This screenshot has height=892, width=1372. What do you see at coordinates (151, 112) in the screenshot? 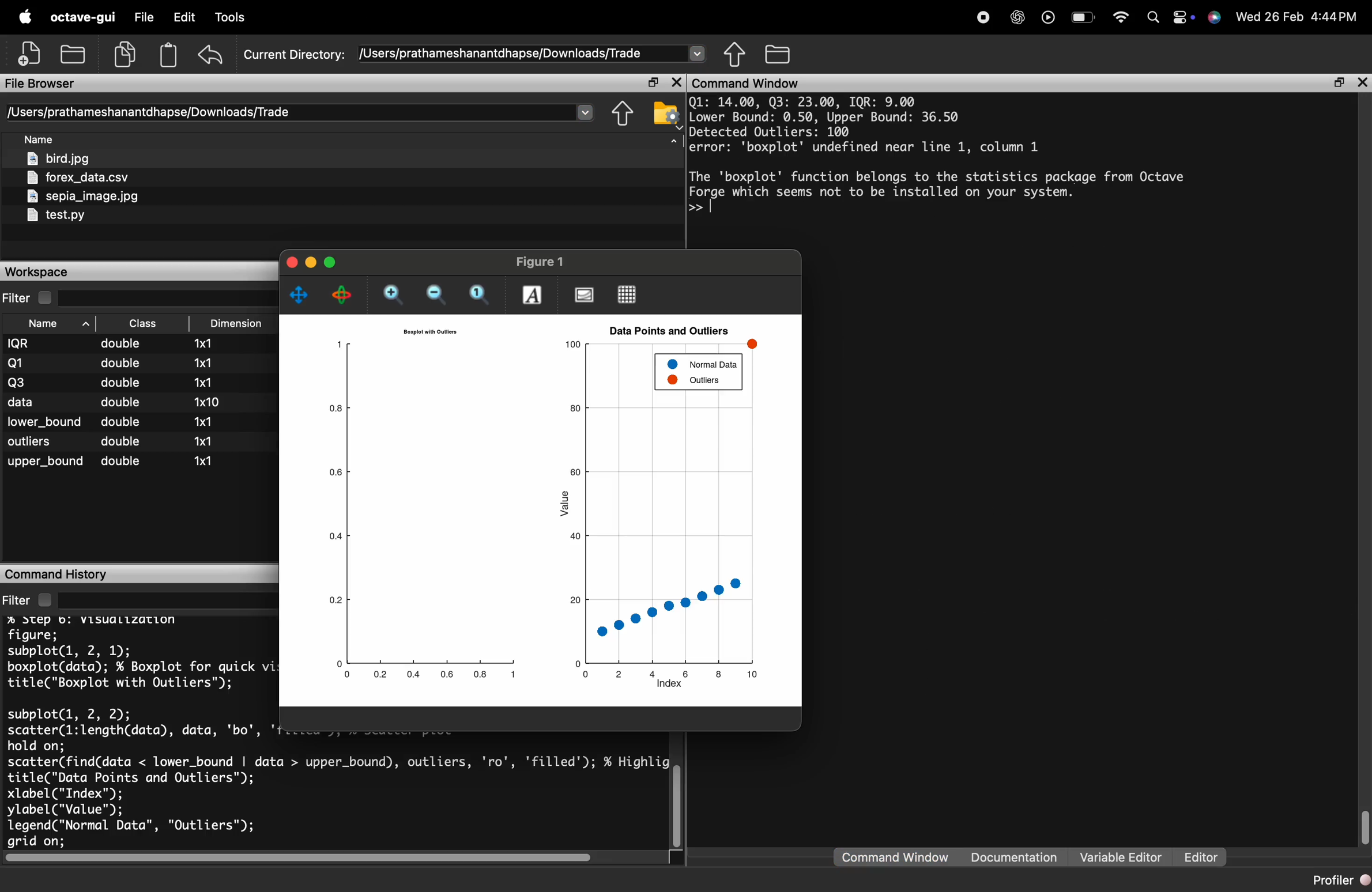
I see `[Users/prathameshanantdhapse/Downloads/Trade` at bounding box center [151, 112].